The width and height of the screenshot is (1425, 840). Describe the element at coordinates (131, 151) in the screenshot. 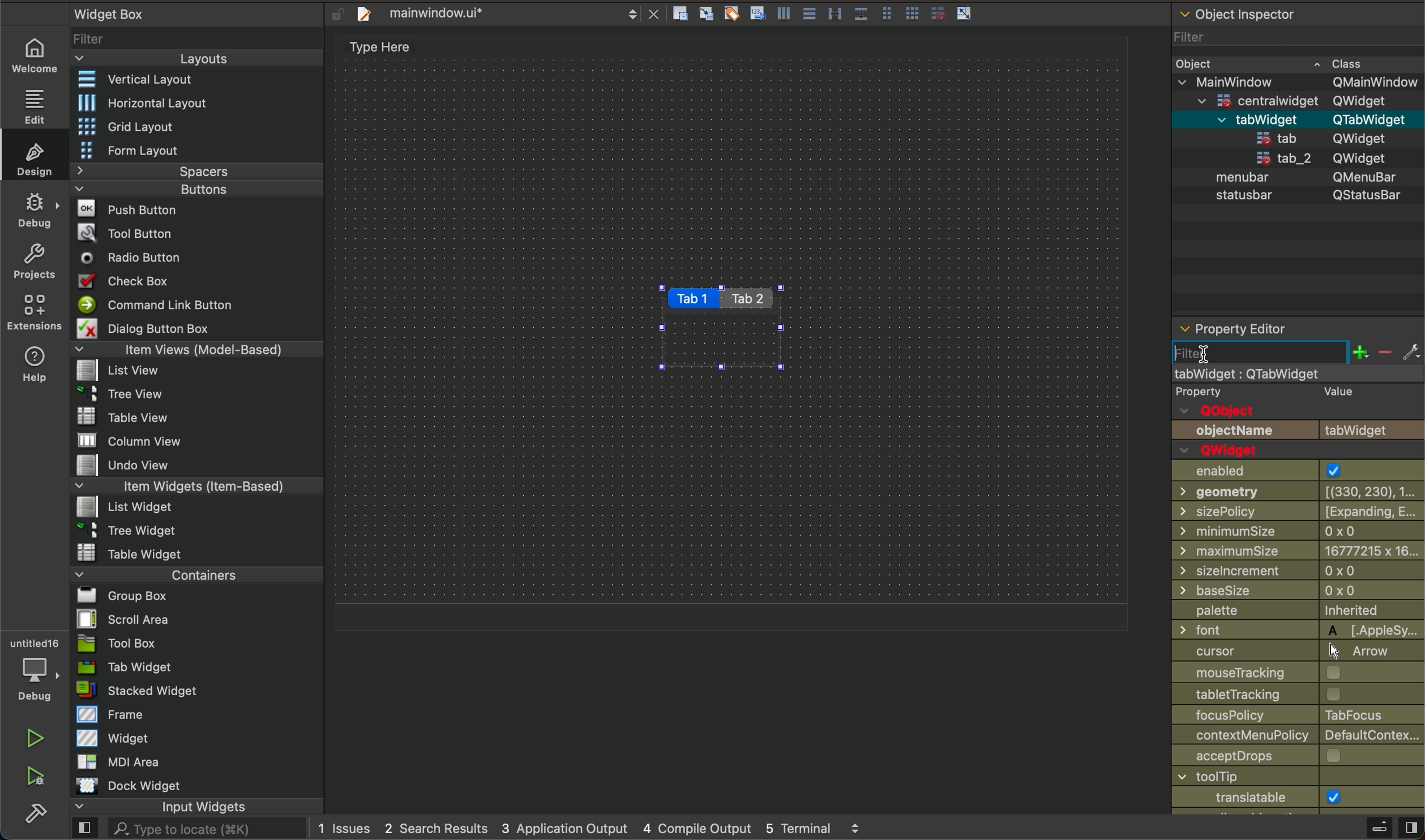

I see ` Form Layout` at that location.